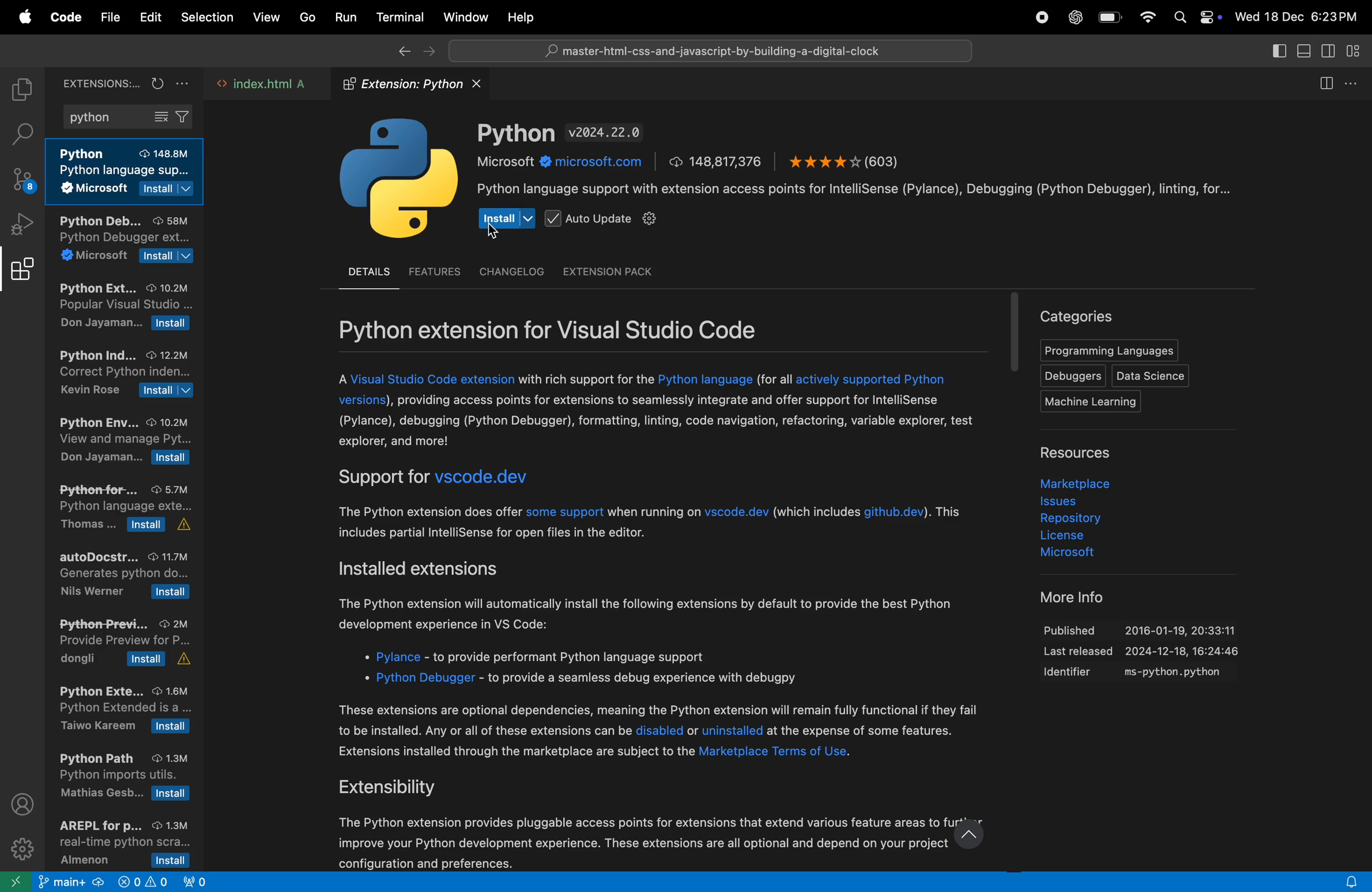  What do you see at coordinates (1305, 52) in the screenshot?
I see `toggle panel` at bounding box center [1305, 52].